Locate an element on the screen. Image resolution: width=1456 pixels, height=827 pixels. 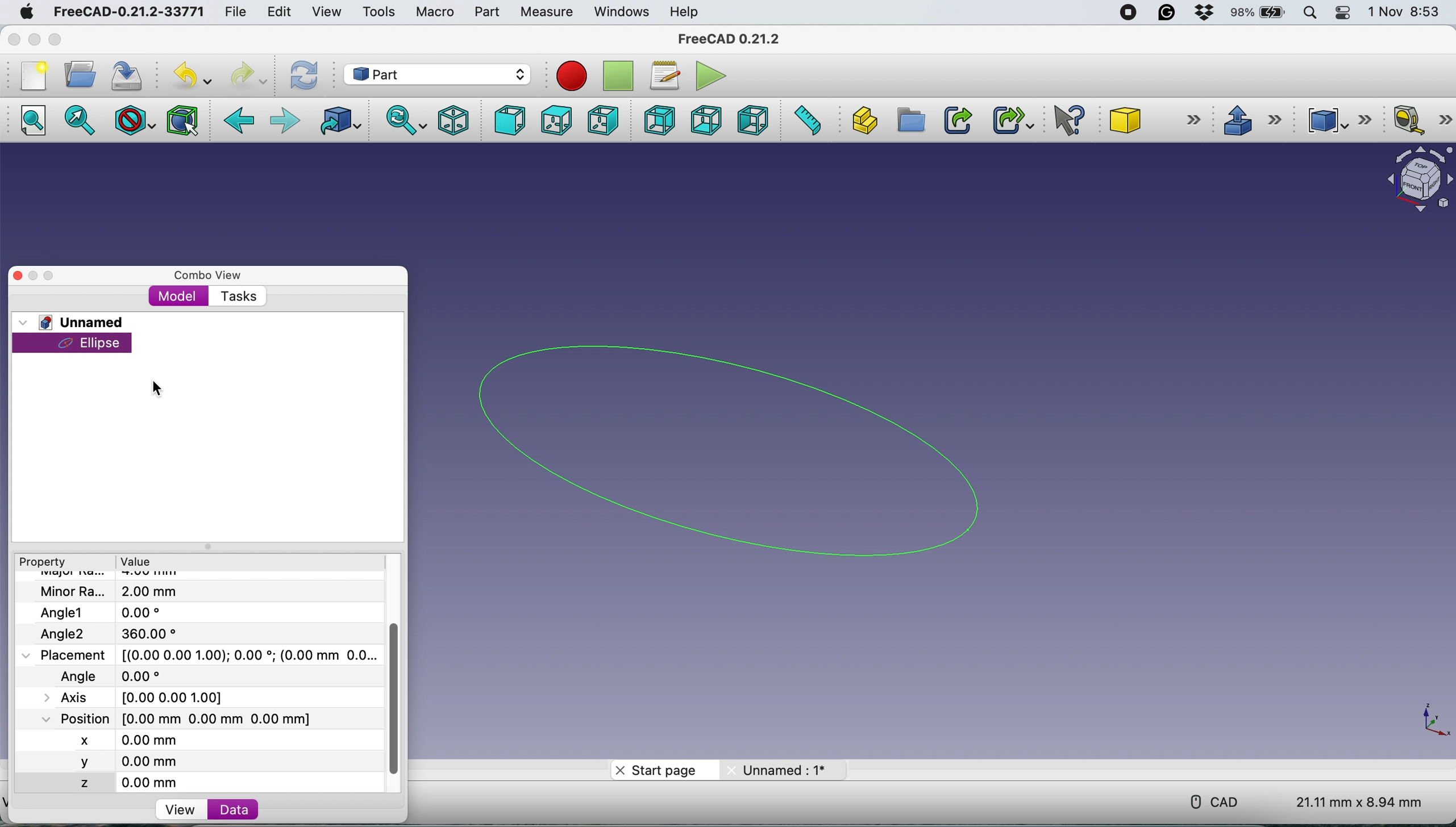
grammarly is located at coordinates (1168, 12).